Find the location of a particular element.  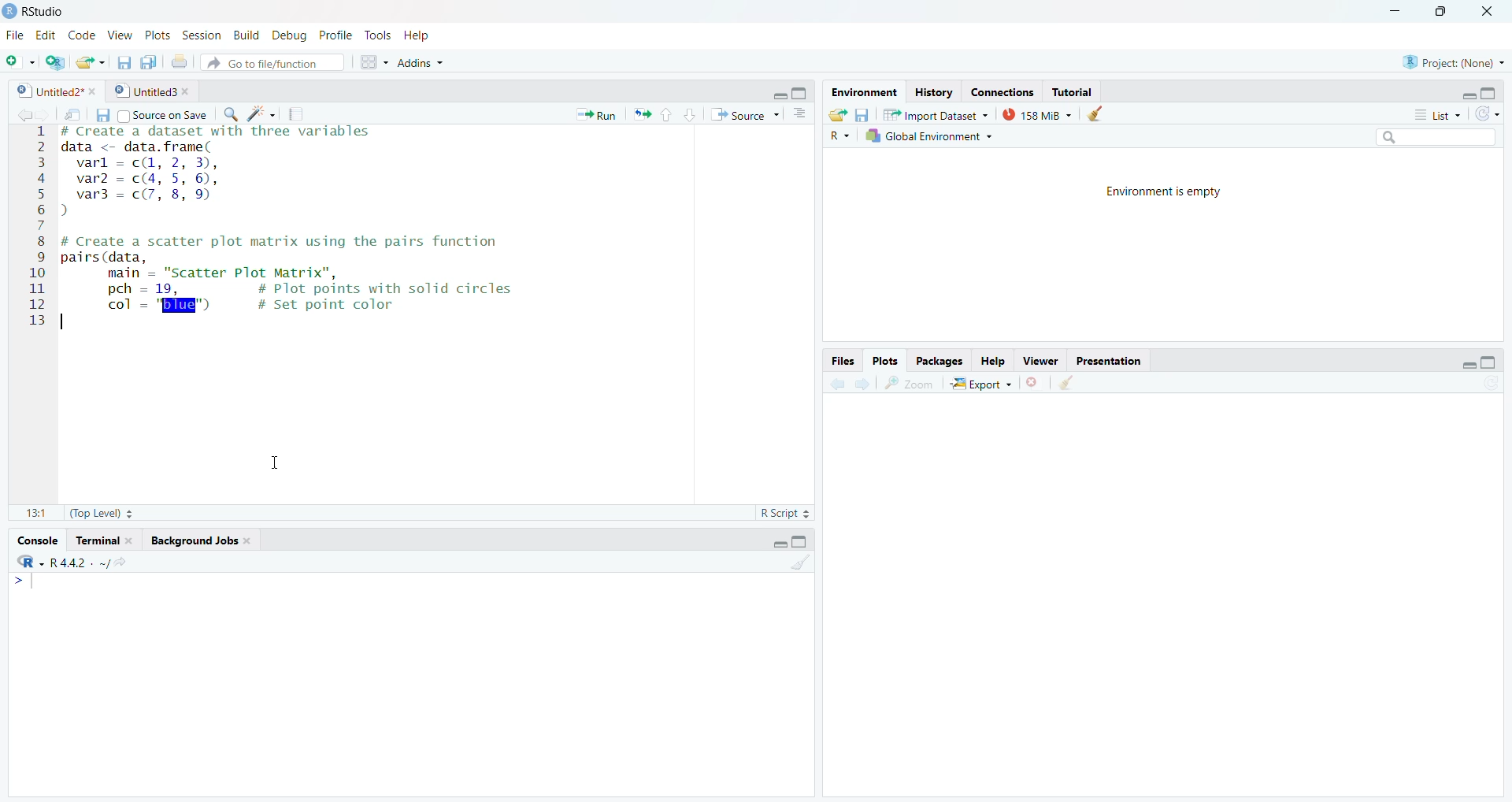

Tools is located at coordinates (379, 34).